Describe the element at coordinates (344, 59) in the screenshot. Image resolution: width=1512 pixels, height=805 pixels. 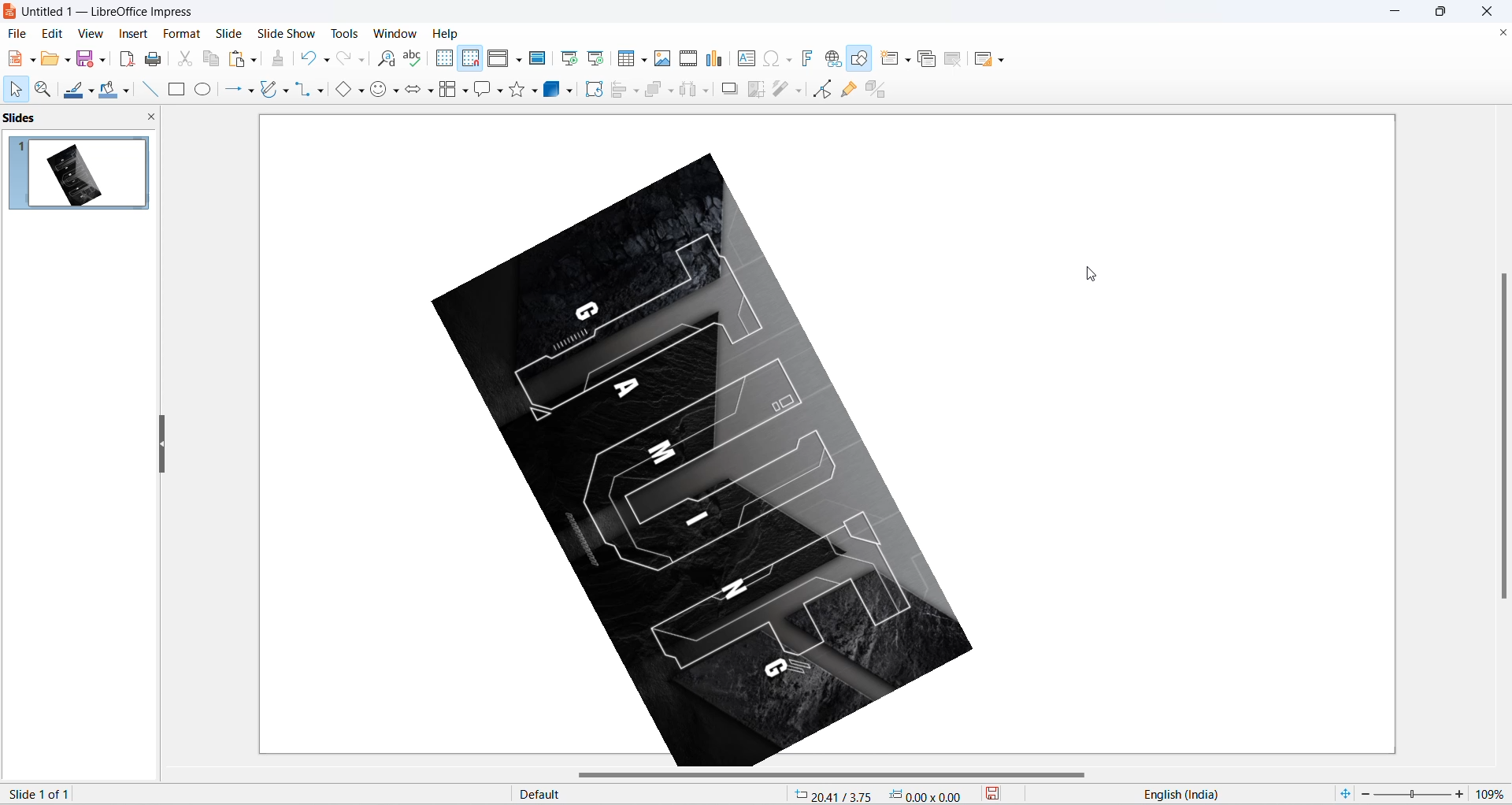
I see `redo` at that location.